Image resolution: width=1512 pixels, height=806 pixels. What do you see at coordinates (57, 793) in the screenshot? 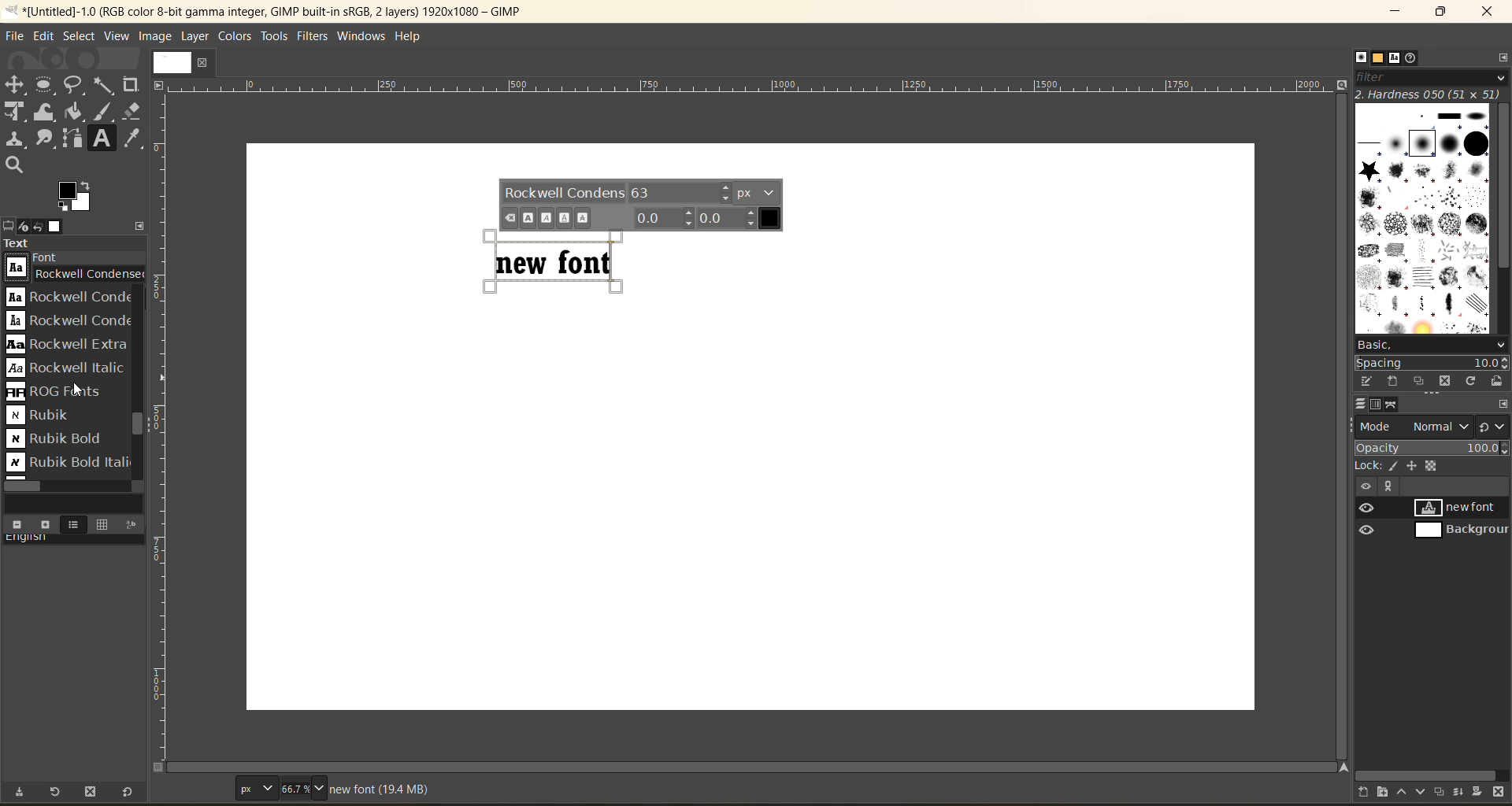
I see `restore tool preset` at bounding box center [57, 793].